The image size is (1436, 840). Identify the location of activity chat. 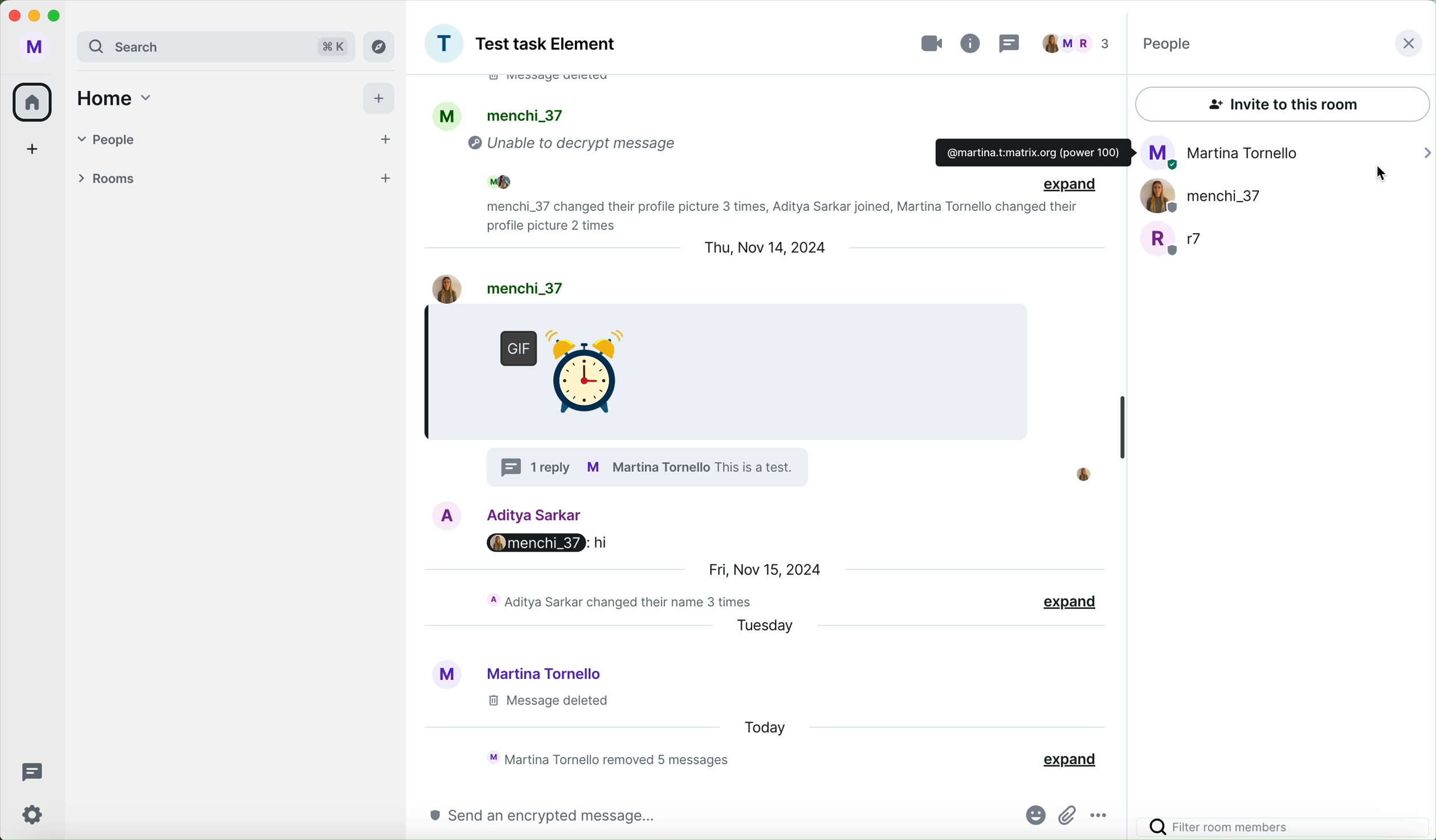
(622, 602).